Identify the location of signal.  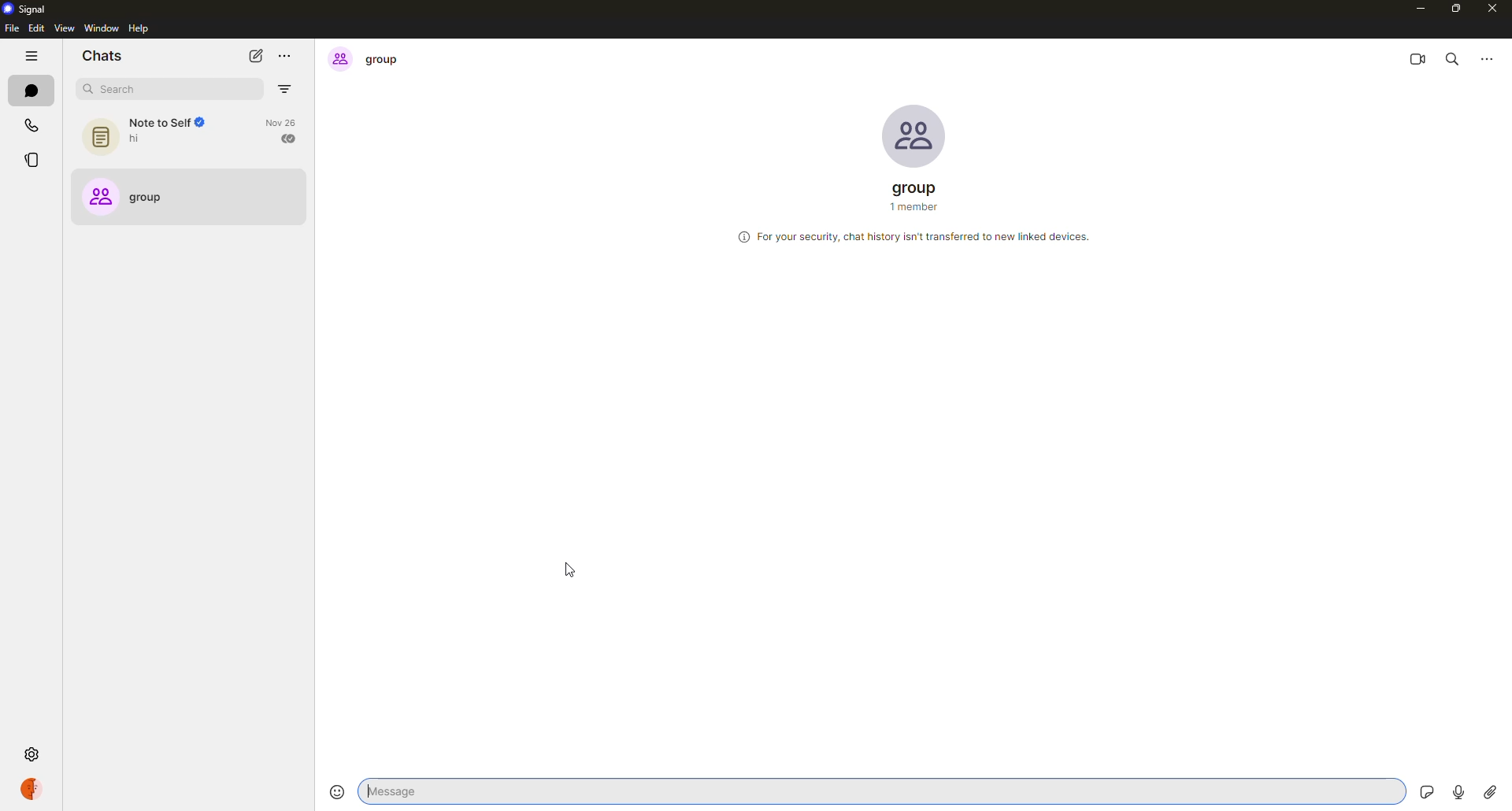
(27, 9).